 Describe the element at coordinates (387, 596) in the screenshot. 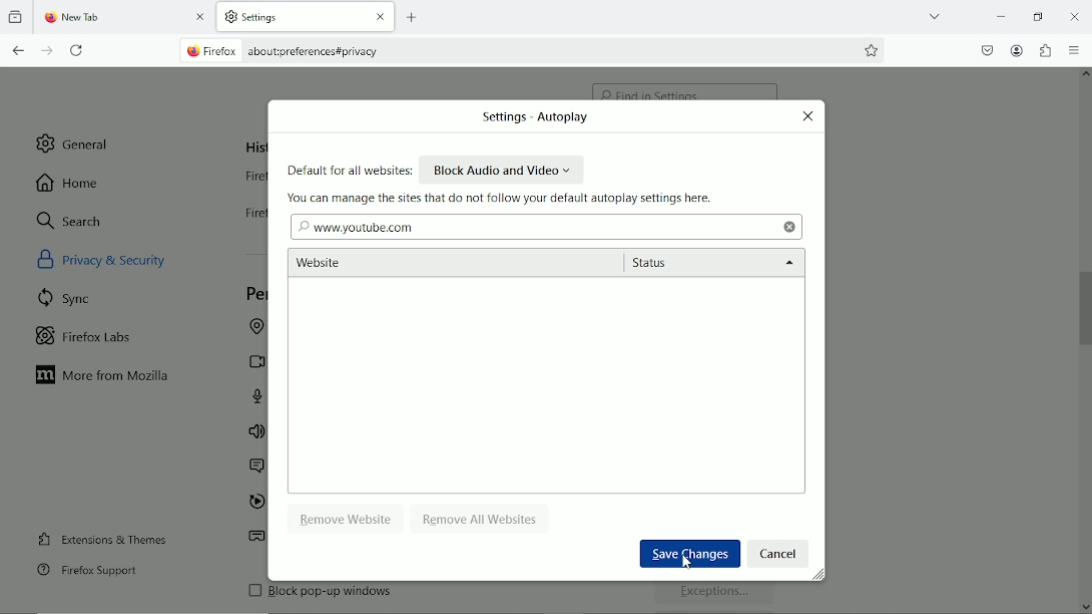

I see `block pop-up windows` at that location.